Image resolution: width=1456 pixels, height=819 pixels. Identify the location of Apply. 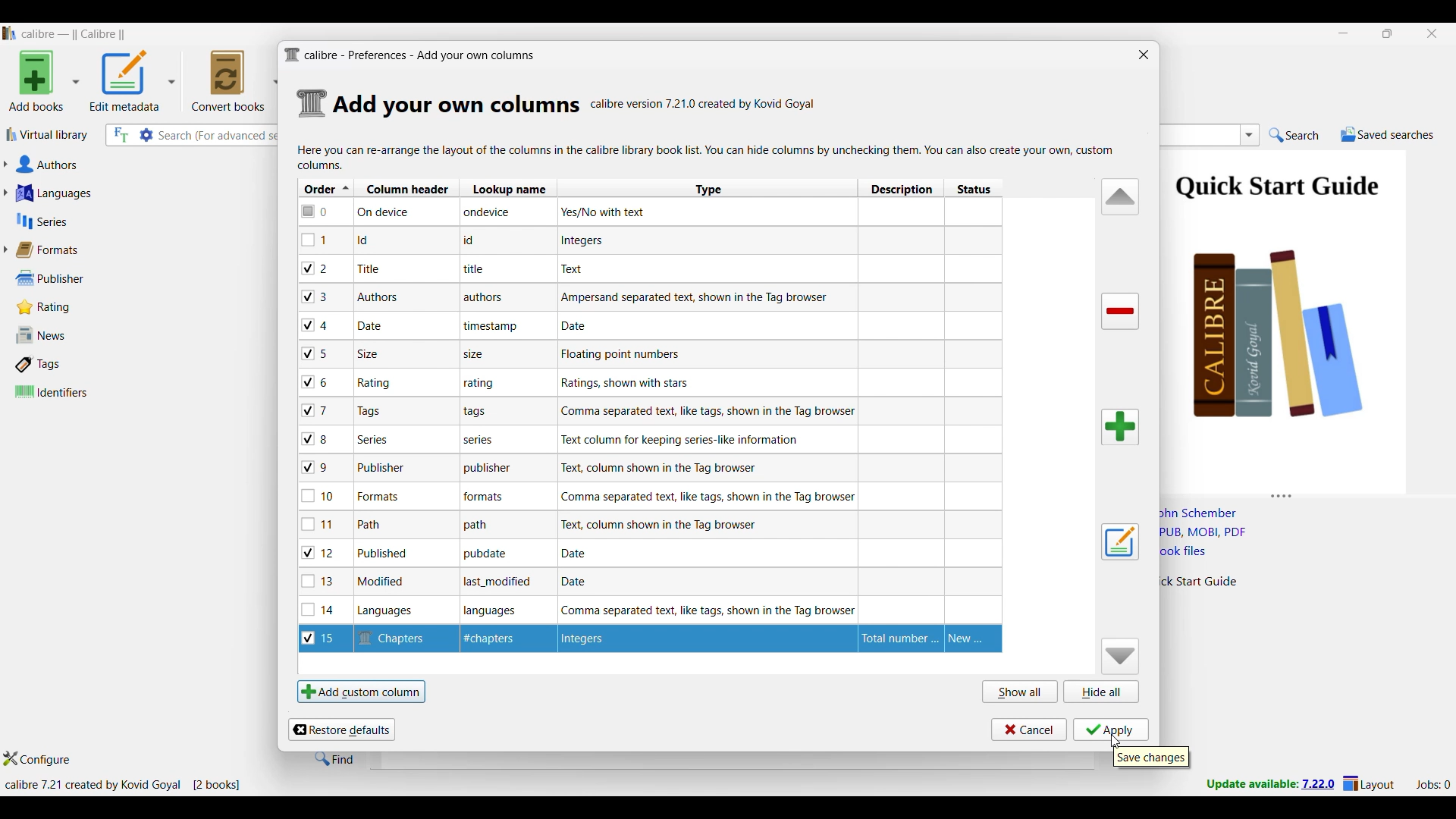
(1111, 730).